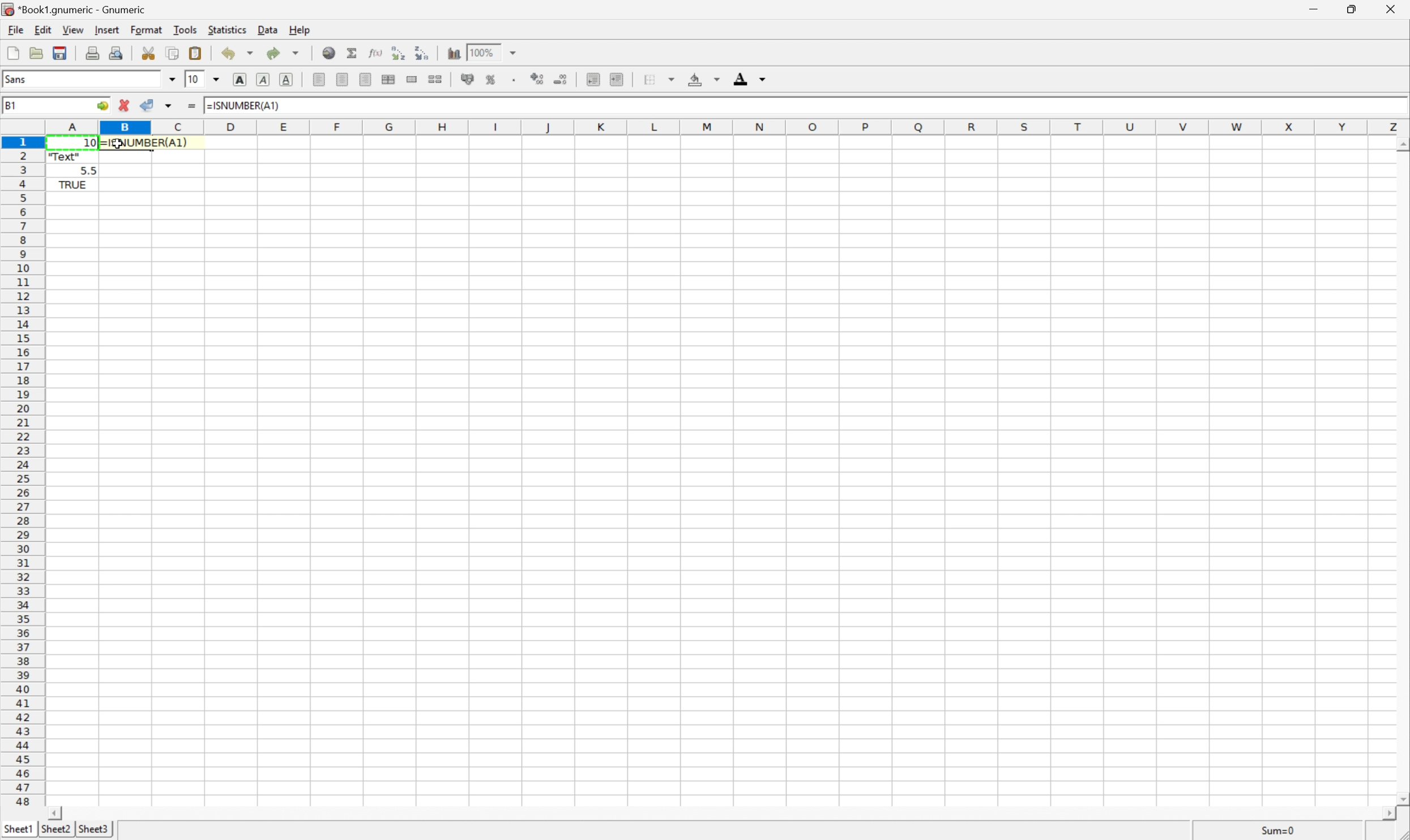 This screenshot has width=1410, height=840. Describe the element at coordinates (72, 143) in the screenshot. I see `10` at that location.